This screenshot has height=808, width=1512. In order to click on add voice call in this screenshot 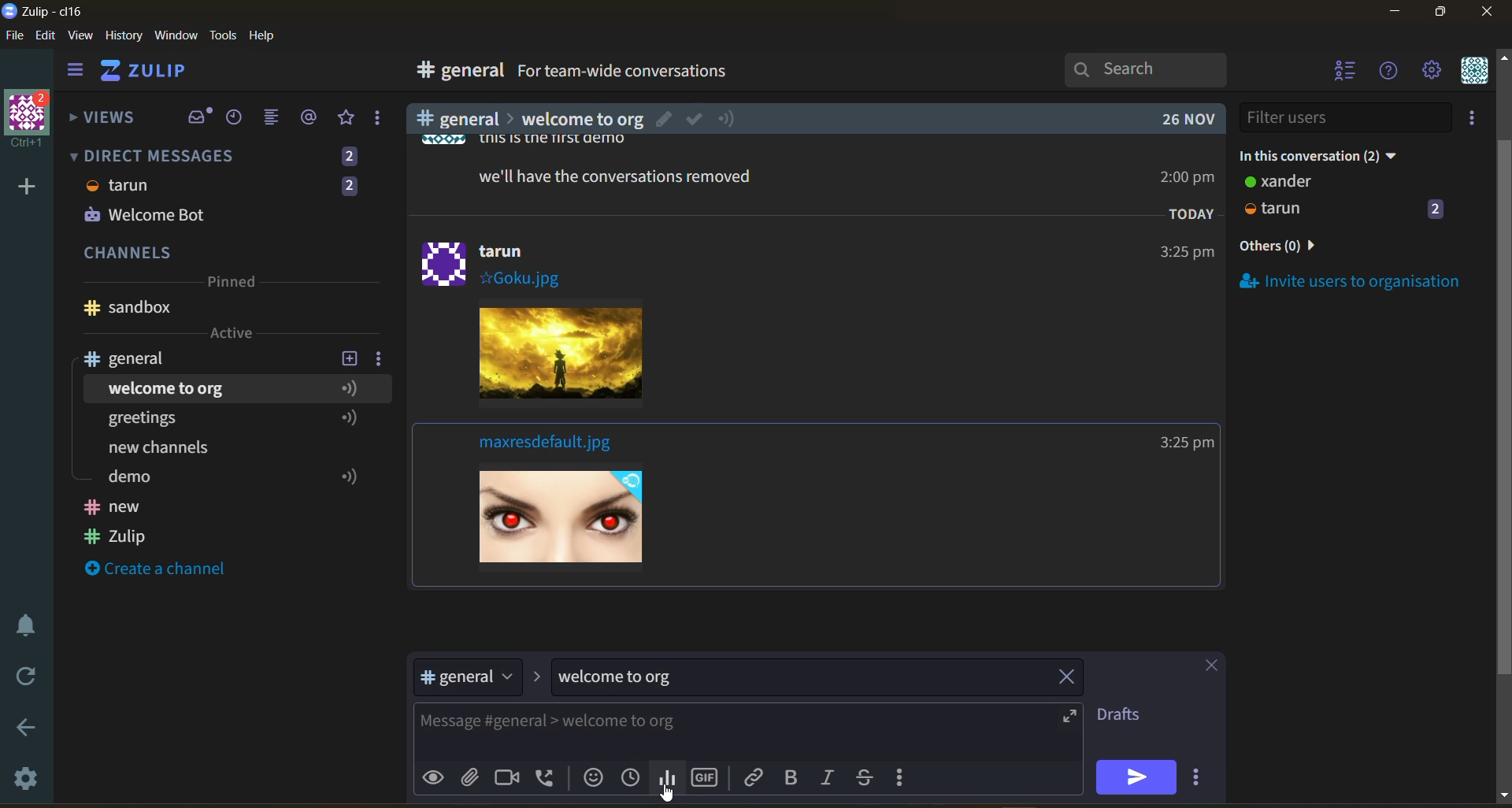, I will do `click(547, 776)`.